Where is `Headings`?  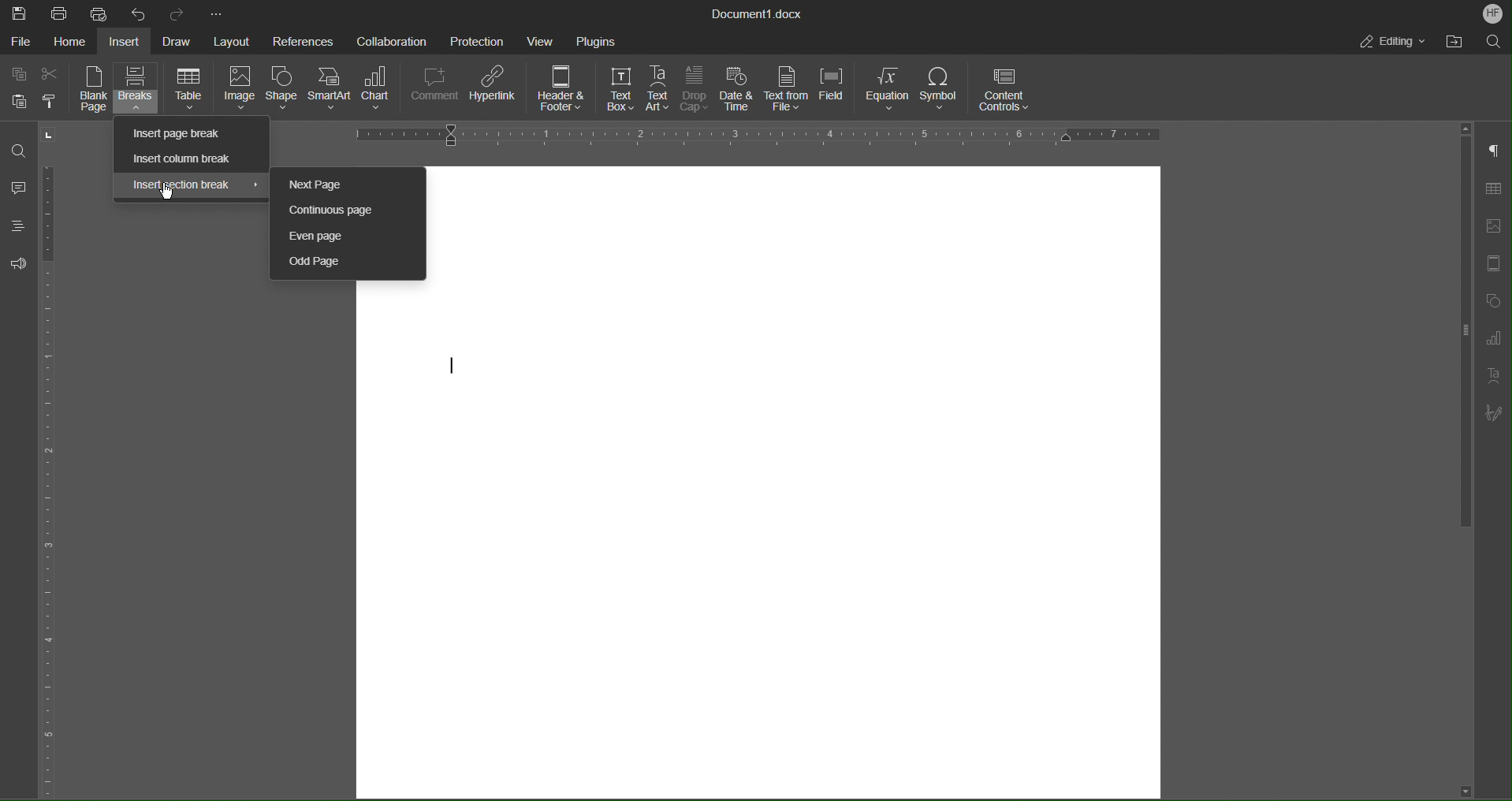
Headings is located at coordinates (15, 226).